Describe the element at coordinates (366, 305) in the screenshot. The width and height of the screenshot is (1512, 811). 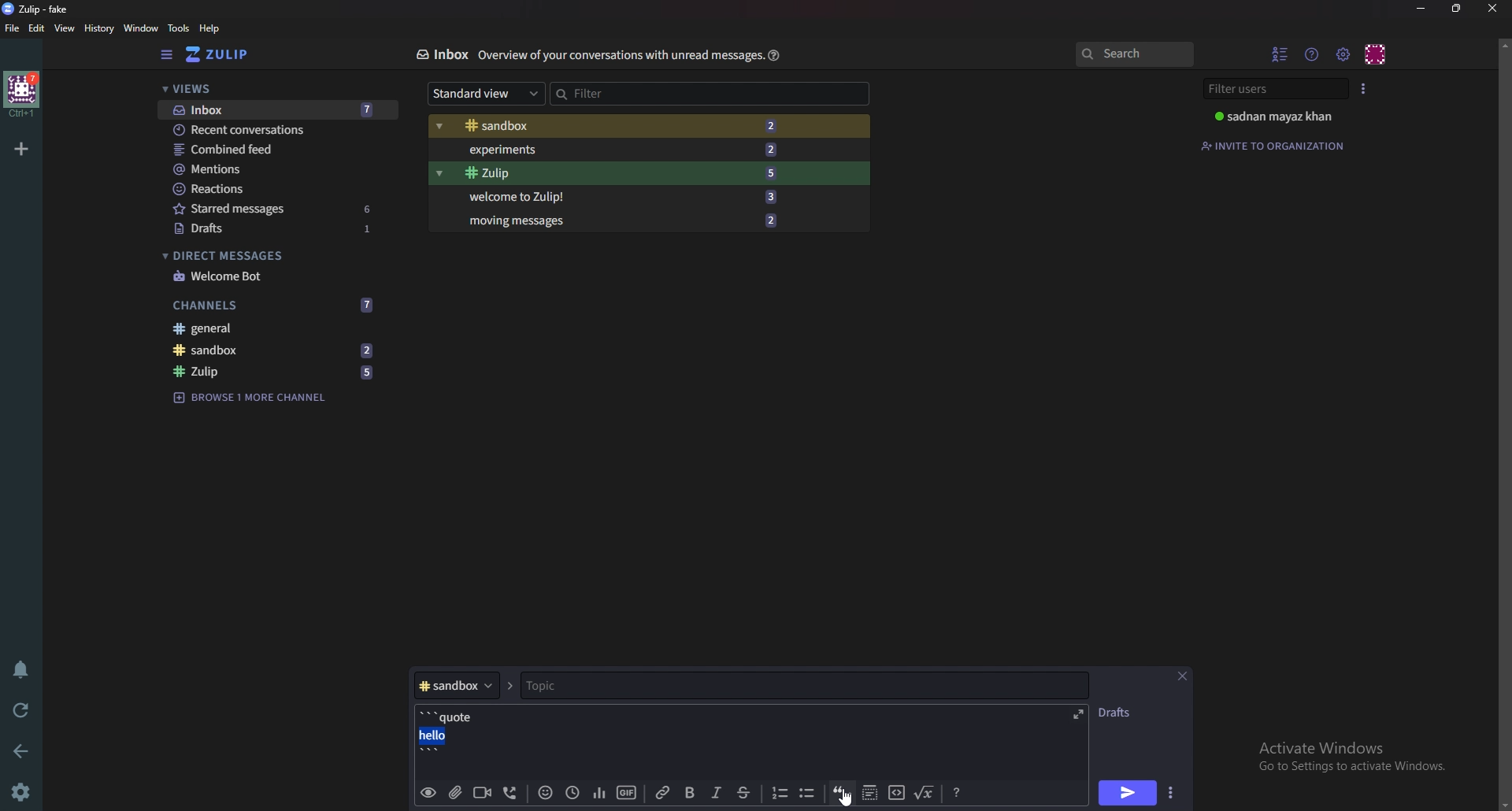
I see `7` at that location.